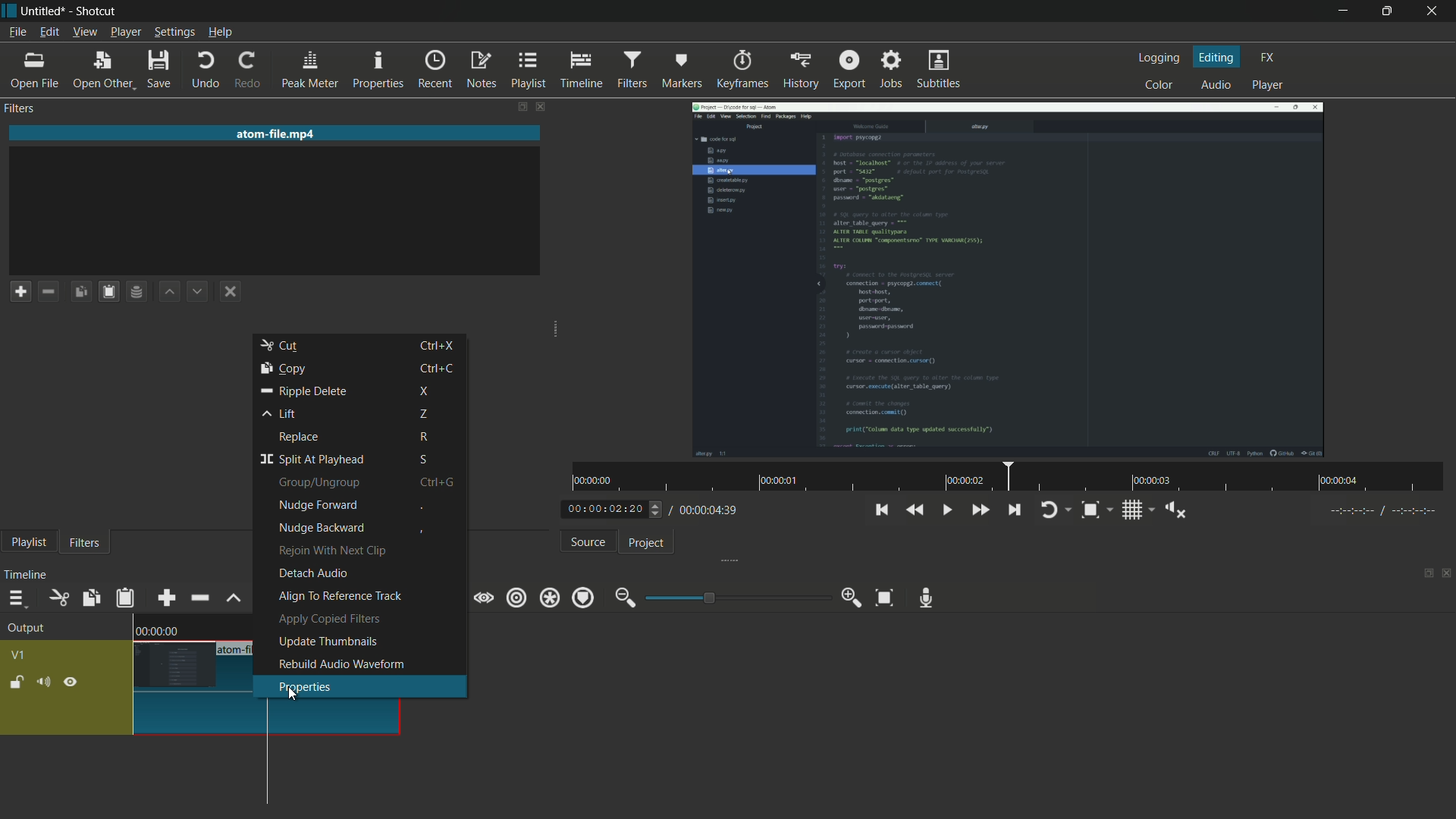  What do you see at coordinates (315, 574) in the screenshot?
I see `detach audio` at bounding box center [315, 574].